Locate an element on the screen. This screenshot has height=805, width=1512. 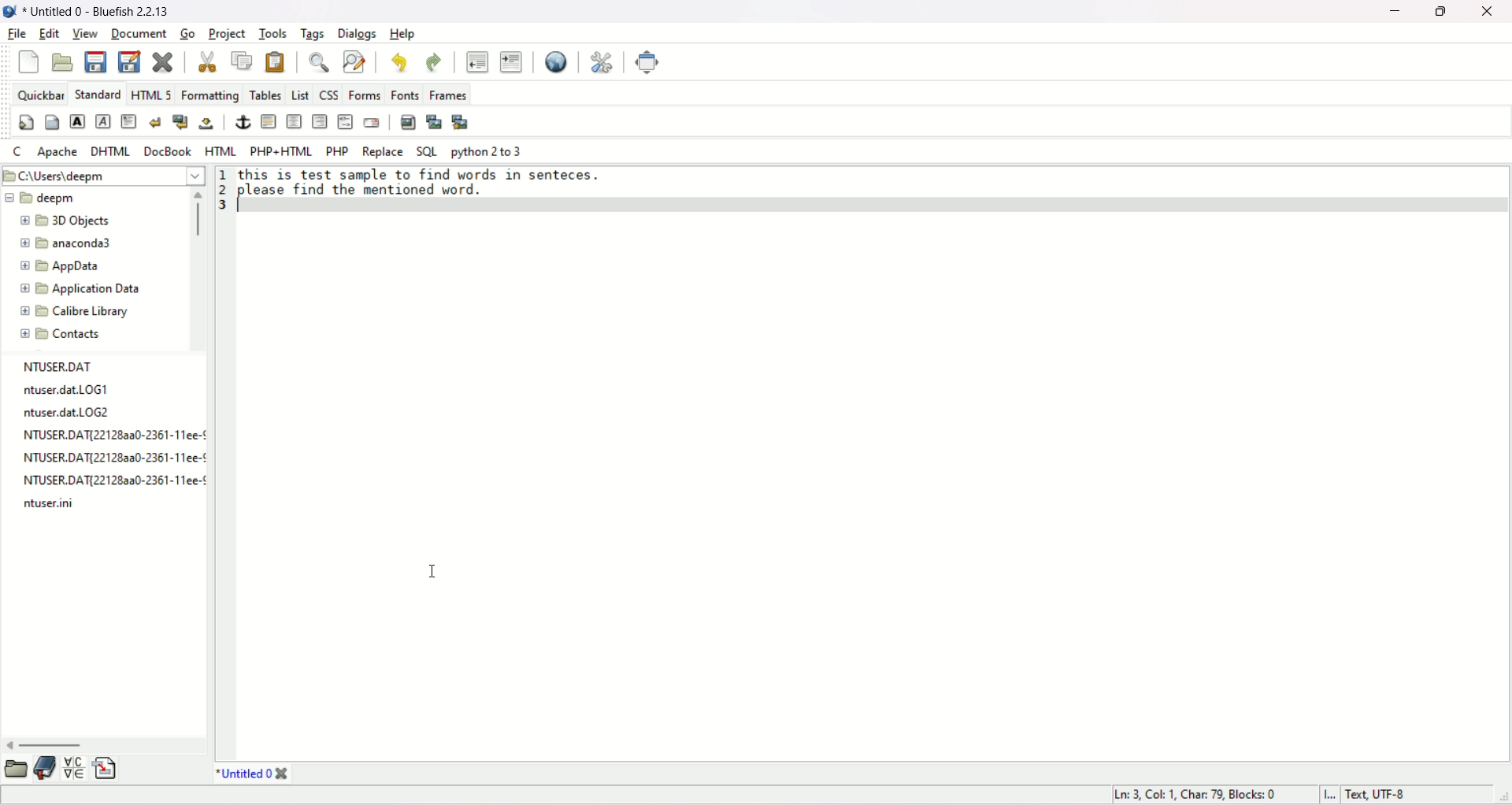
view is located at coordinates (84, 34).